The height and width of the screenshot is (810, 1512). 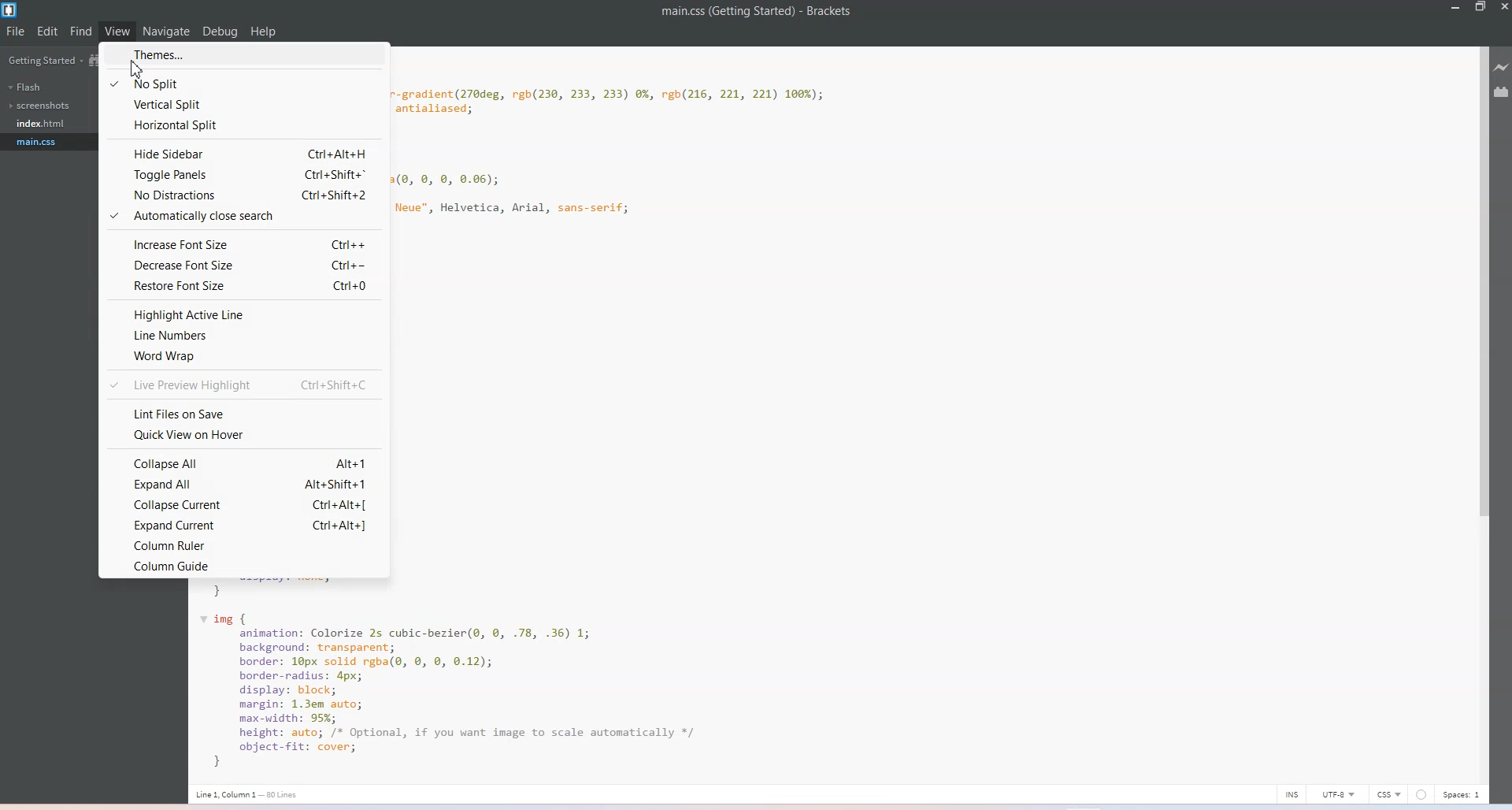 I want to click on No distractions, so click(x=244, y=196).